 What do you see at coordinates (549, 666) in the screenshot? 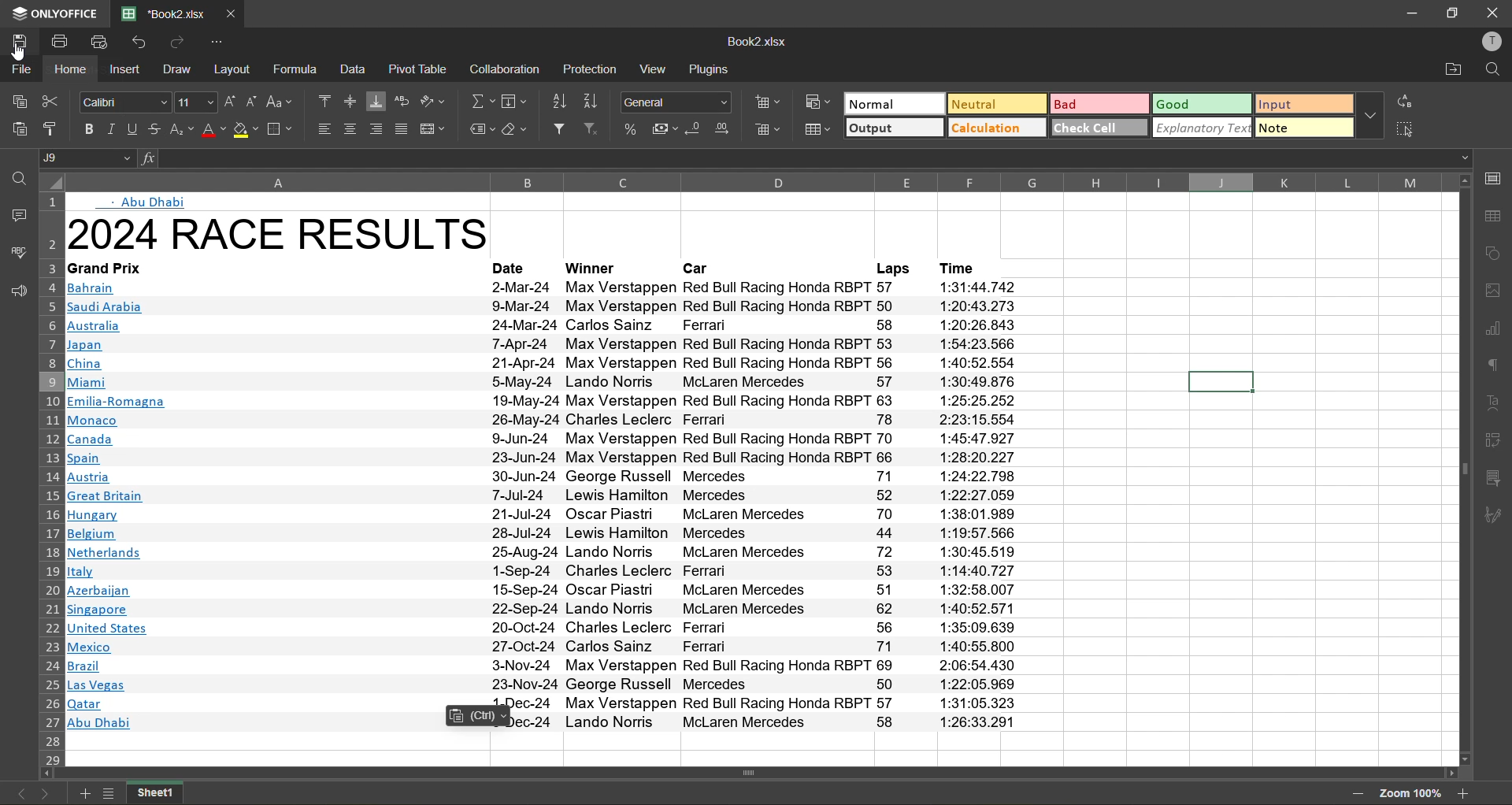
I see `text info` at bounding box center [549, 666].